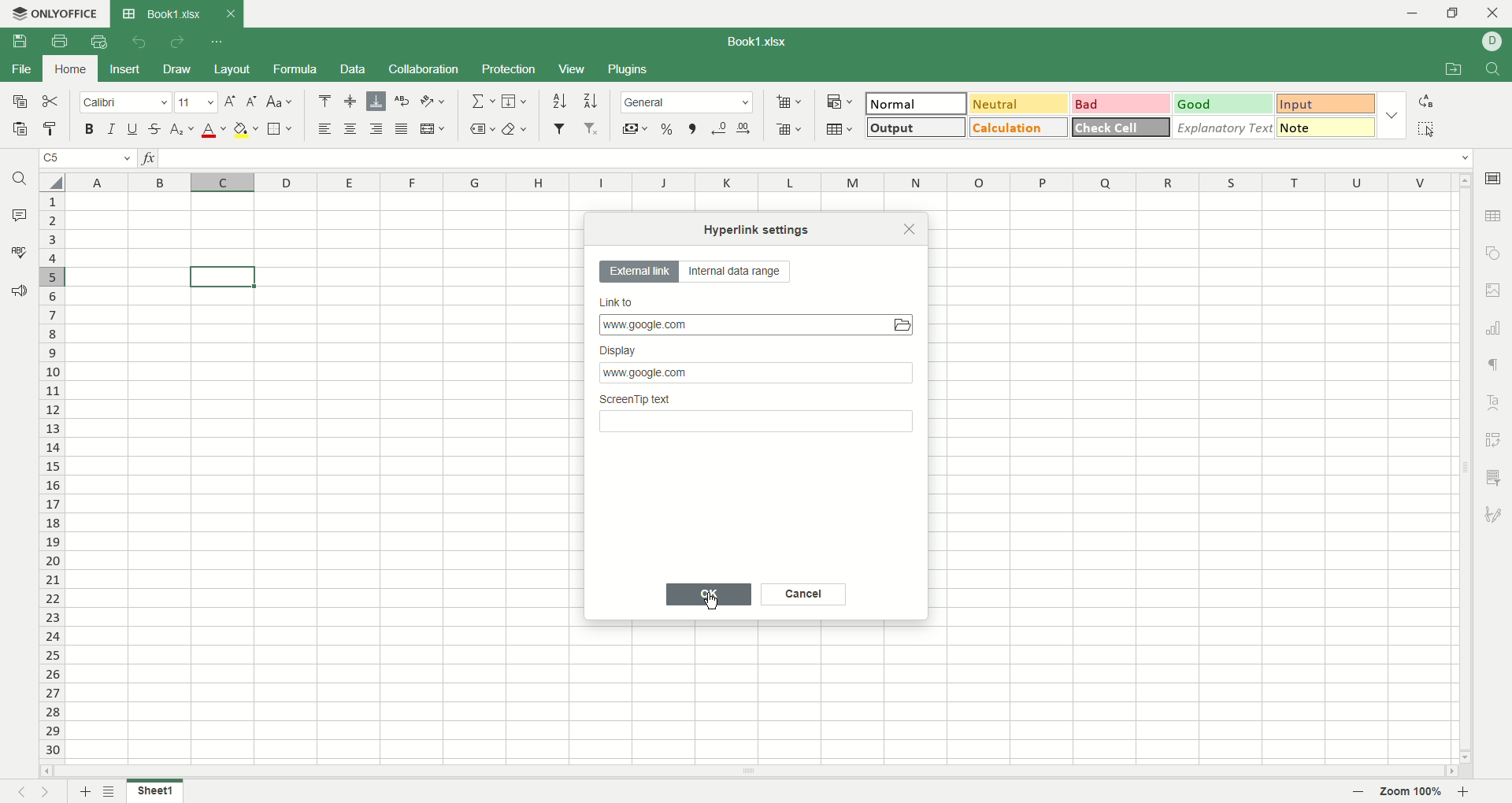  Describe the element at coordinates (233, 68) in the screenshot. I see `layout` at that location.